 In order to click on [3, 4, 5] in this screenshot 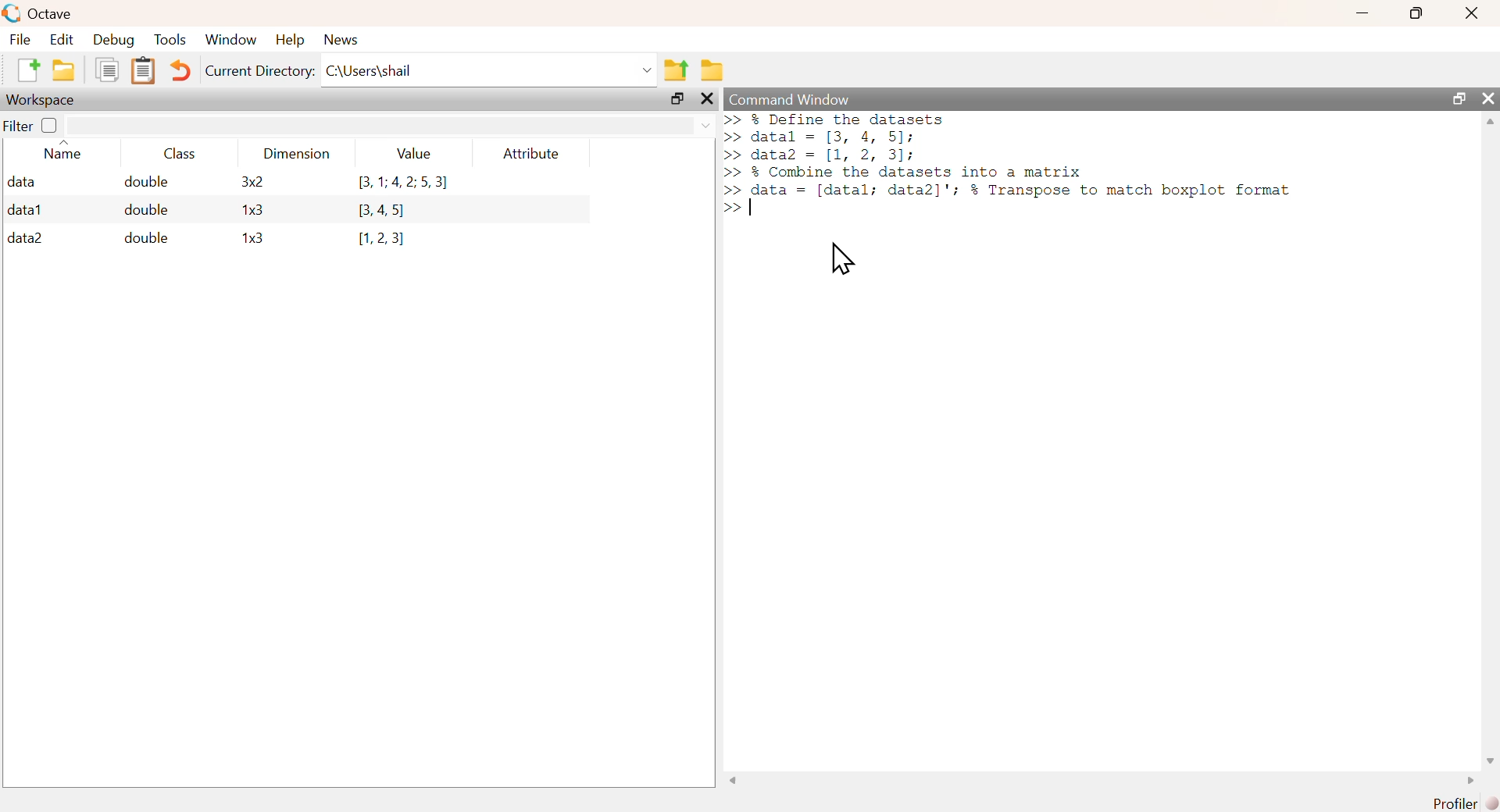, I will do `click(385, 211)`.